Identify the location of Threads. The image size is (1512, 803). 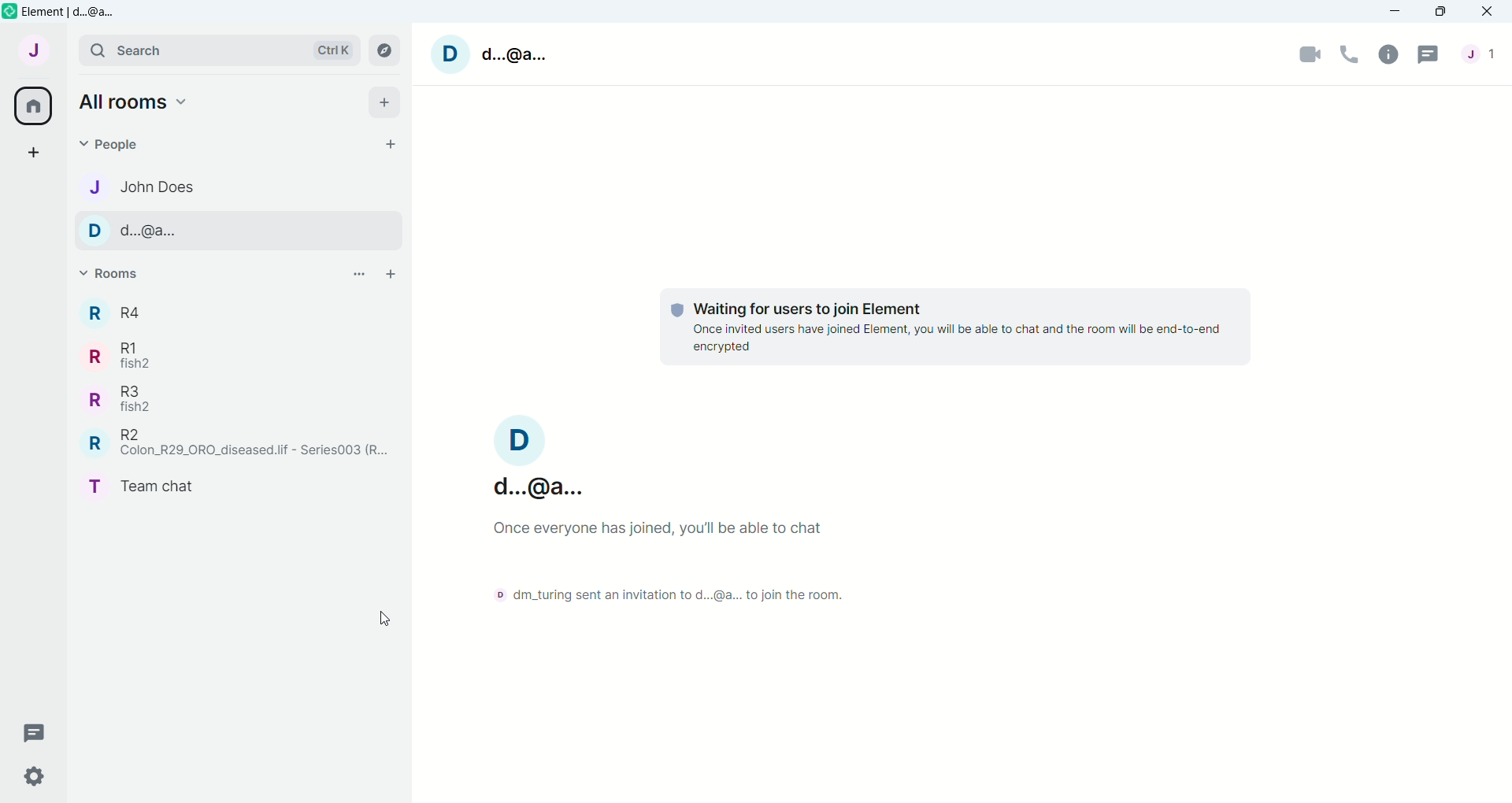
(28, 736).